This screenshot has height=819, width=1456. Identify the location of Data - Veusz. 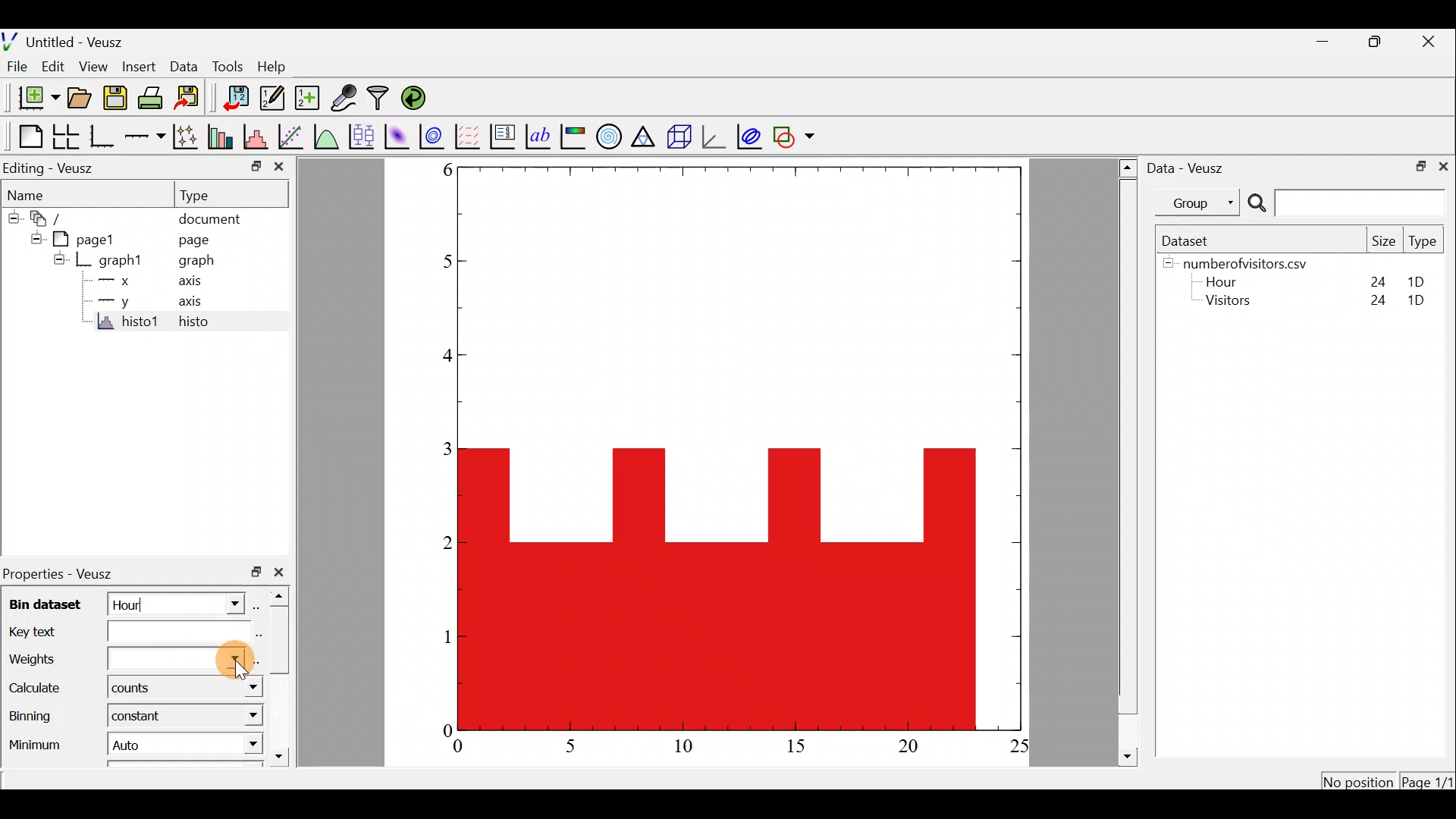
(1195, 171).